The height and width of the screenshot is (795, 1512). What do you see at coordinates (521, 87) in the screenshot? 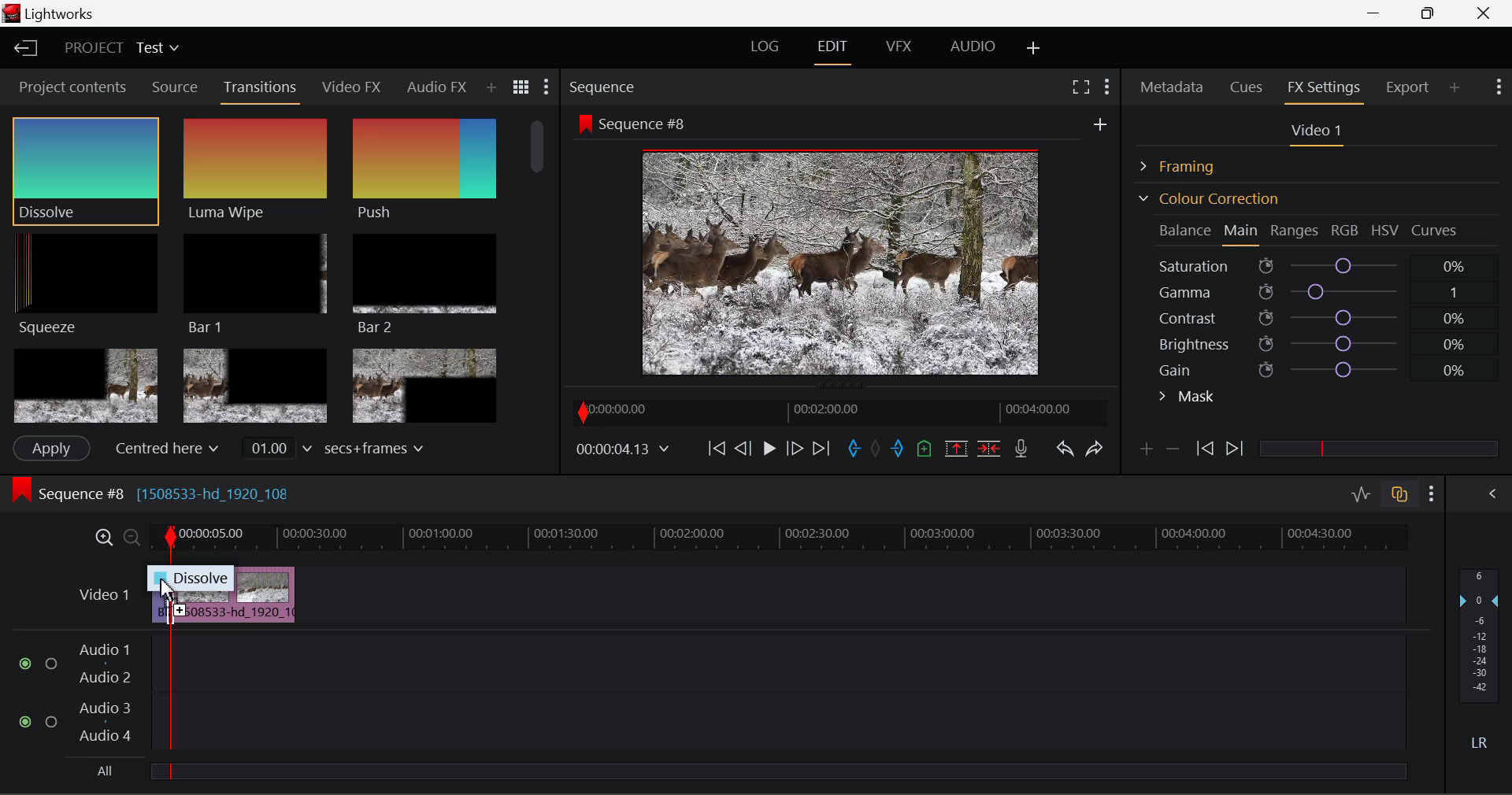
I see `Toggle list and title view` at bounding box center [521, 87].